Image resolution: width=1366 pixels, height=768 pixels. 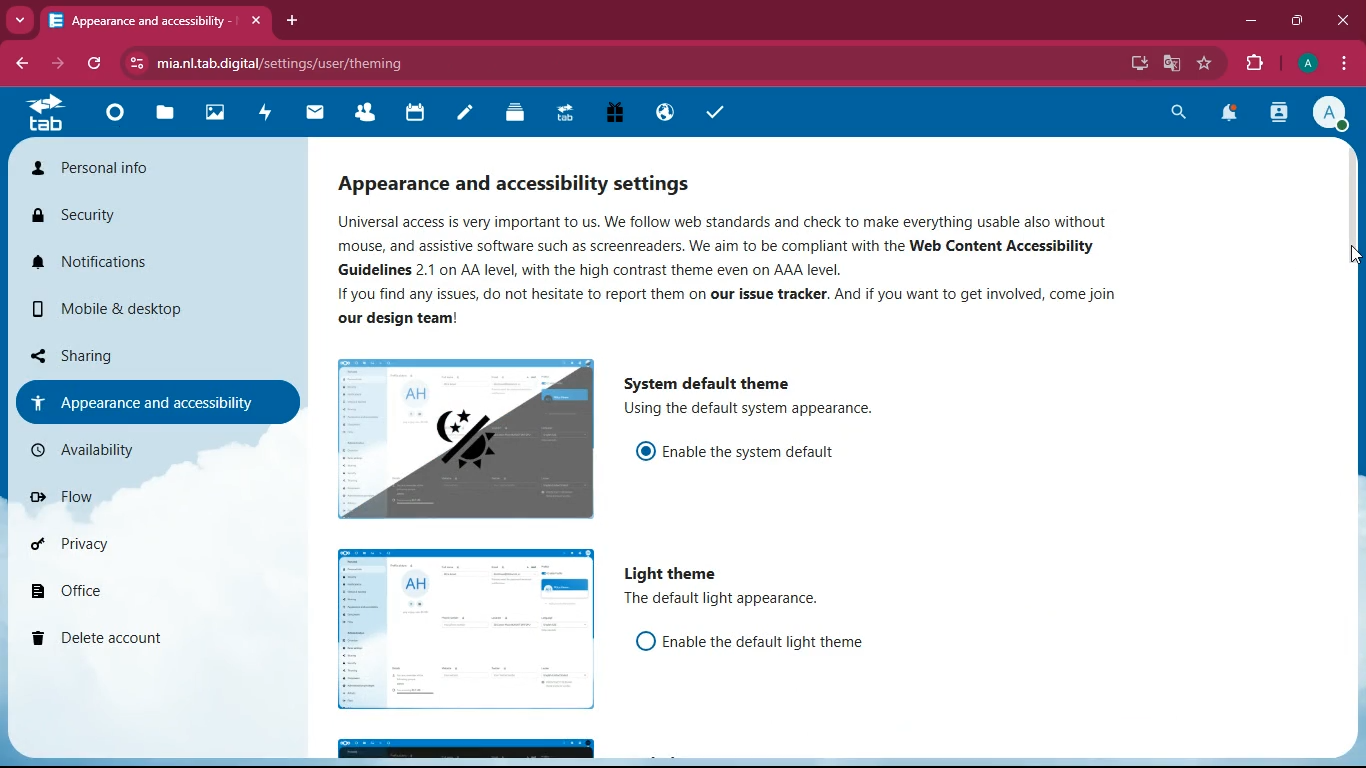 What do you see at coordinates (771, 641) in the screenshot?
I see `enable` at bounding box center [771, 641].